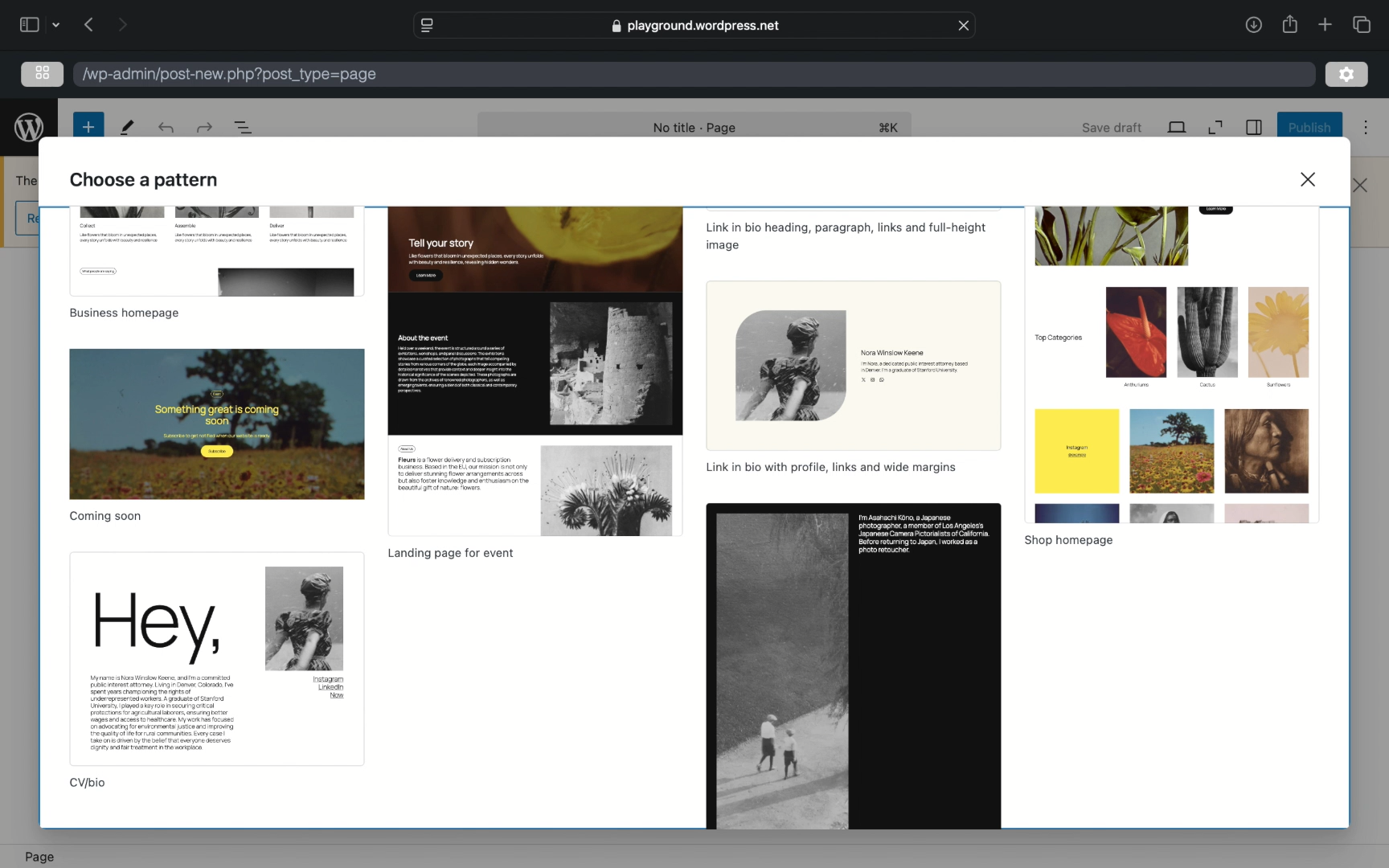 The image size is (1389, 868). What do you see at coordinates (217, 424) in the screenshot?
I see `preview` at bounding box center [217, 424].